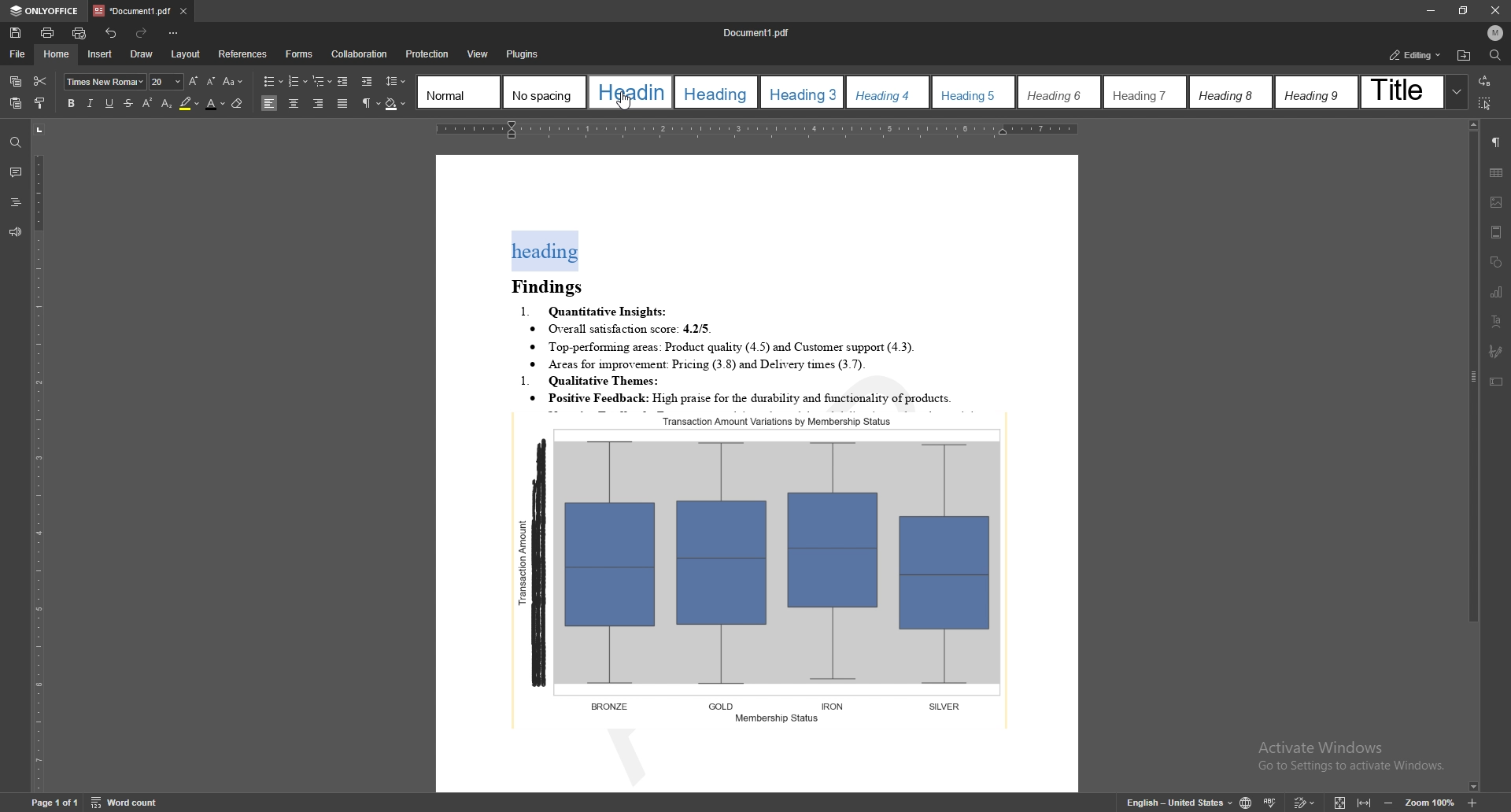 The height and width of the screenshot is (812, 1511). Describe the element at coordinates (360, 54) in the screenshot. I see `Collaboration` at that location.